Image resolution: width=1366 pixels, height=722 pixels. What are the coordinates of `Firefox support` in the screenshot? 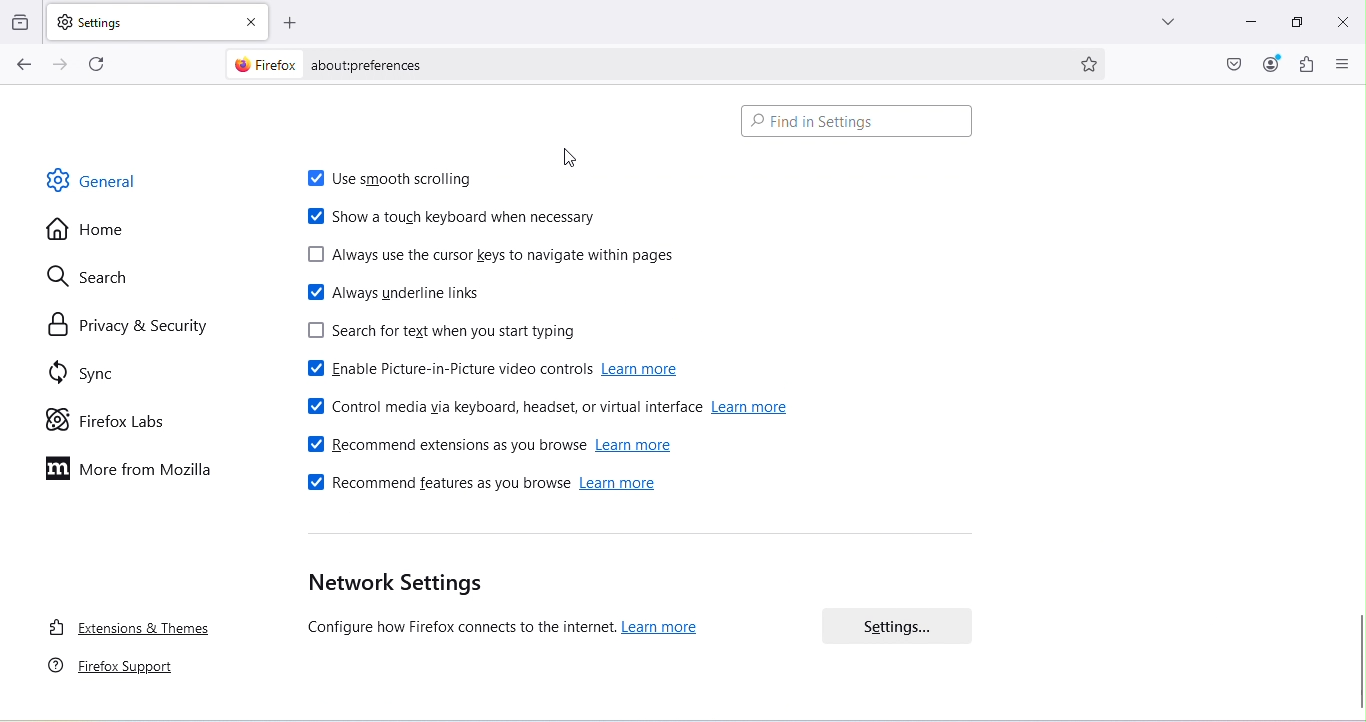 It's located at (120, 672).